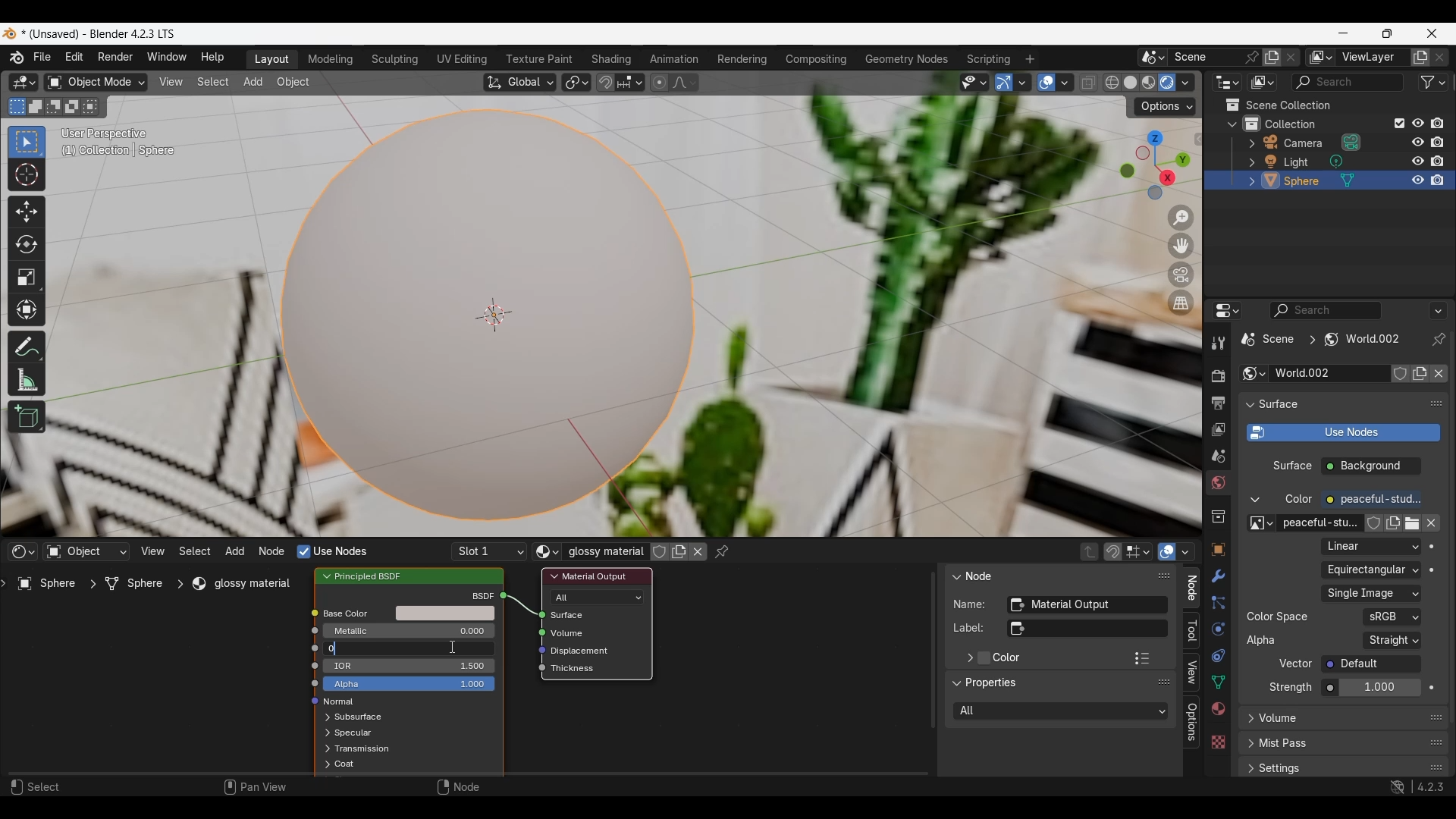  What do you see at coordinates (213, 82) in the screenshot?
I see `Select menu` at bounding box center [213, 82].